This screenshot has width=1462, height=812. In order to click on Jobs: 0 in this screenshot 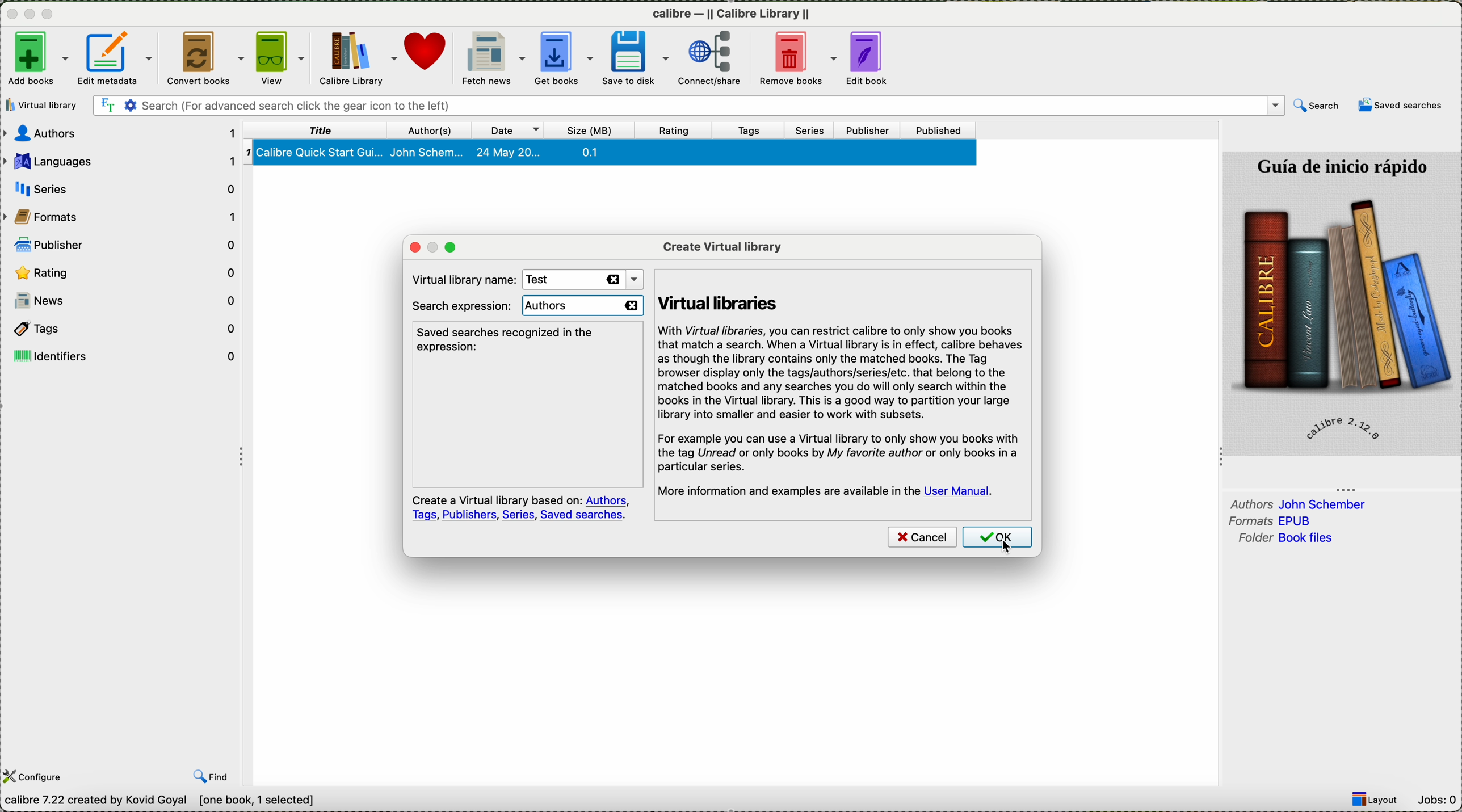, I will do `click(1439, 800)`.